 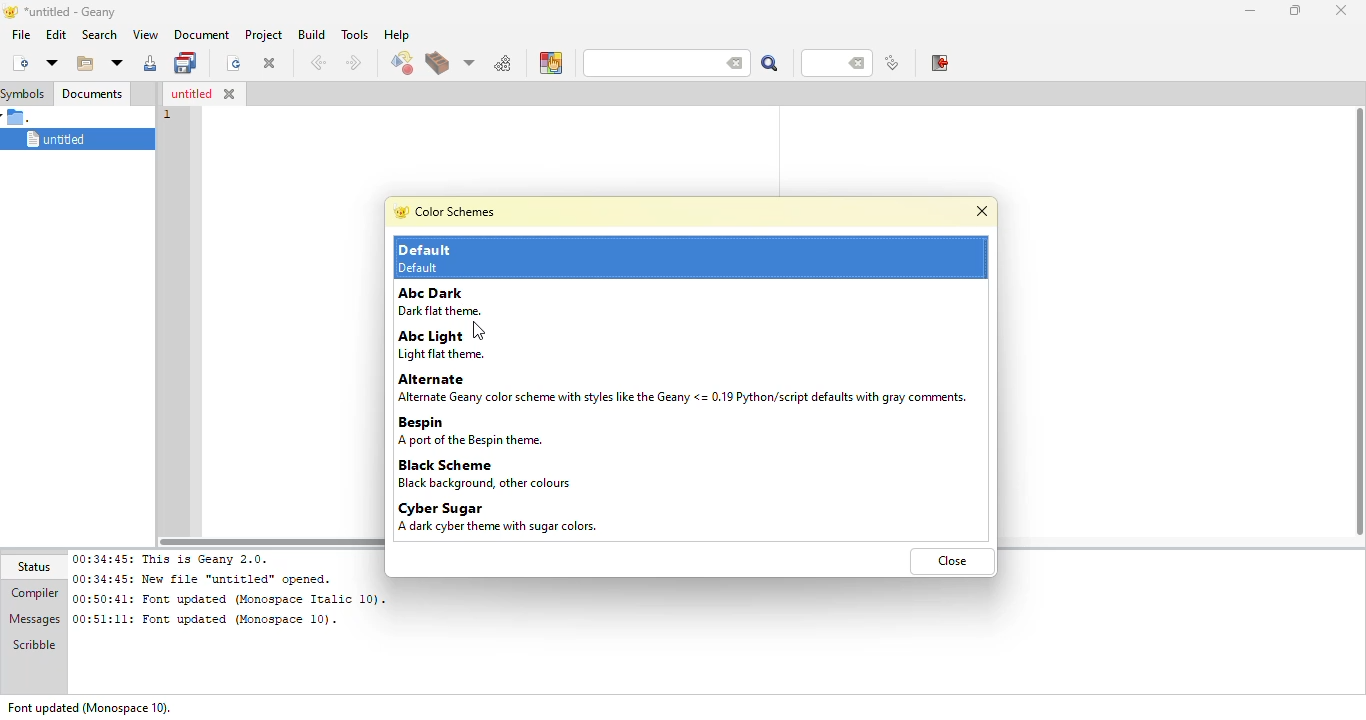 I want to click on close, so click(x=1342, y=10).